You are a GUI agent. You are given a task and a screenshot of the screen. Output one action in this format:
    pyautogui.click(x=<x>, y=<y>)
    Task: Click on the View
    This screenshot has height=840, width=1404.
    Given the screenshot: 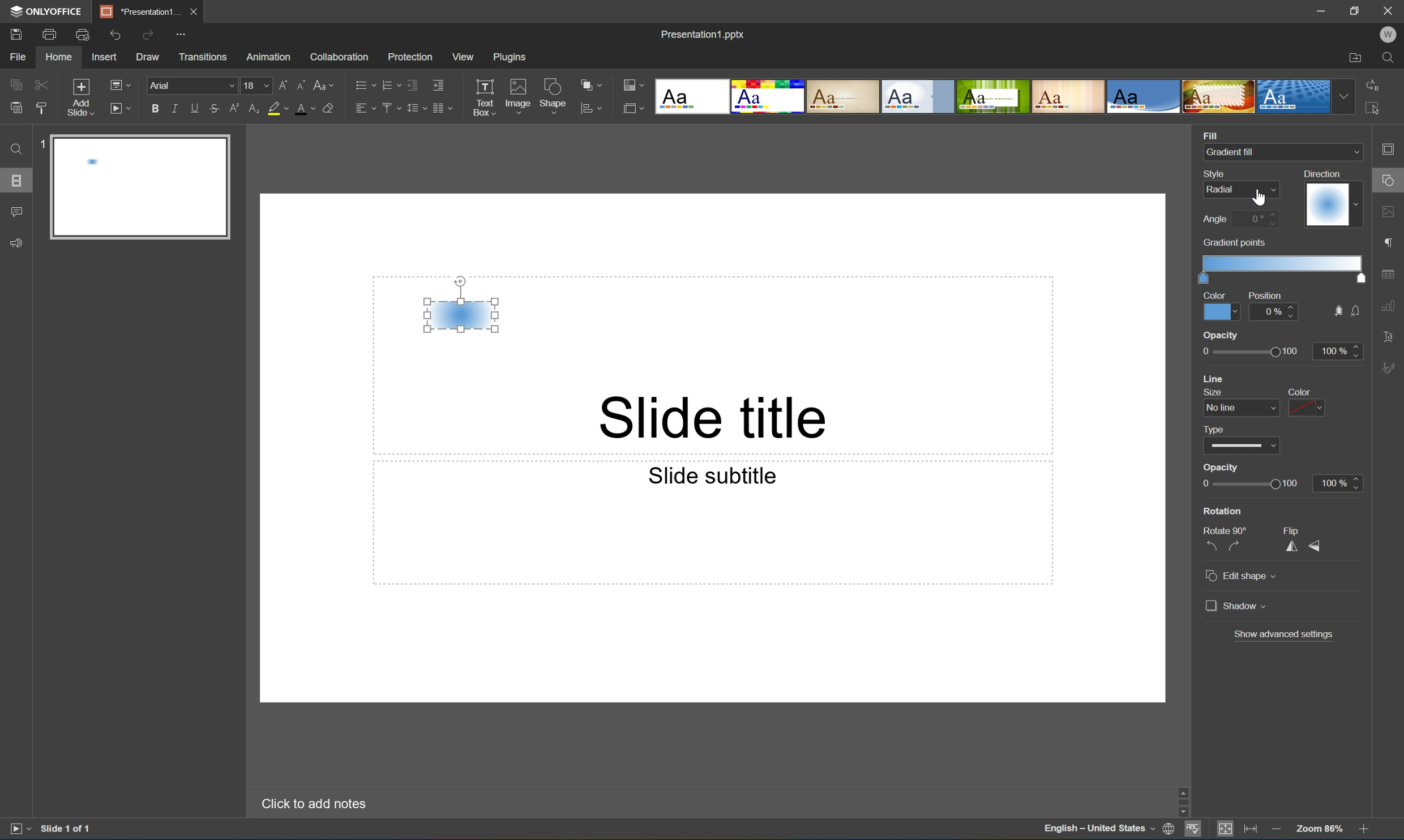 What is the action you would take?
    pyautogui.click(x=464, y=57)
    